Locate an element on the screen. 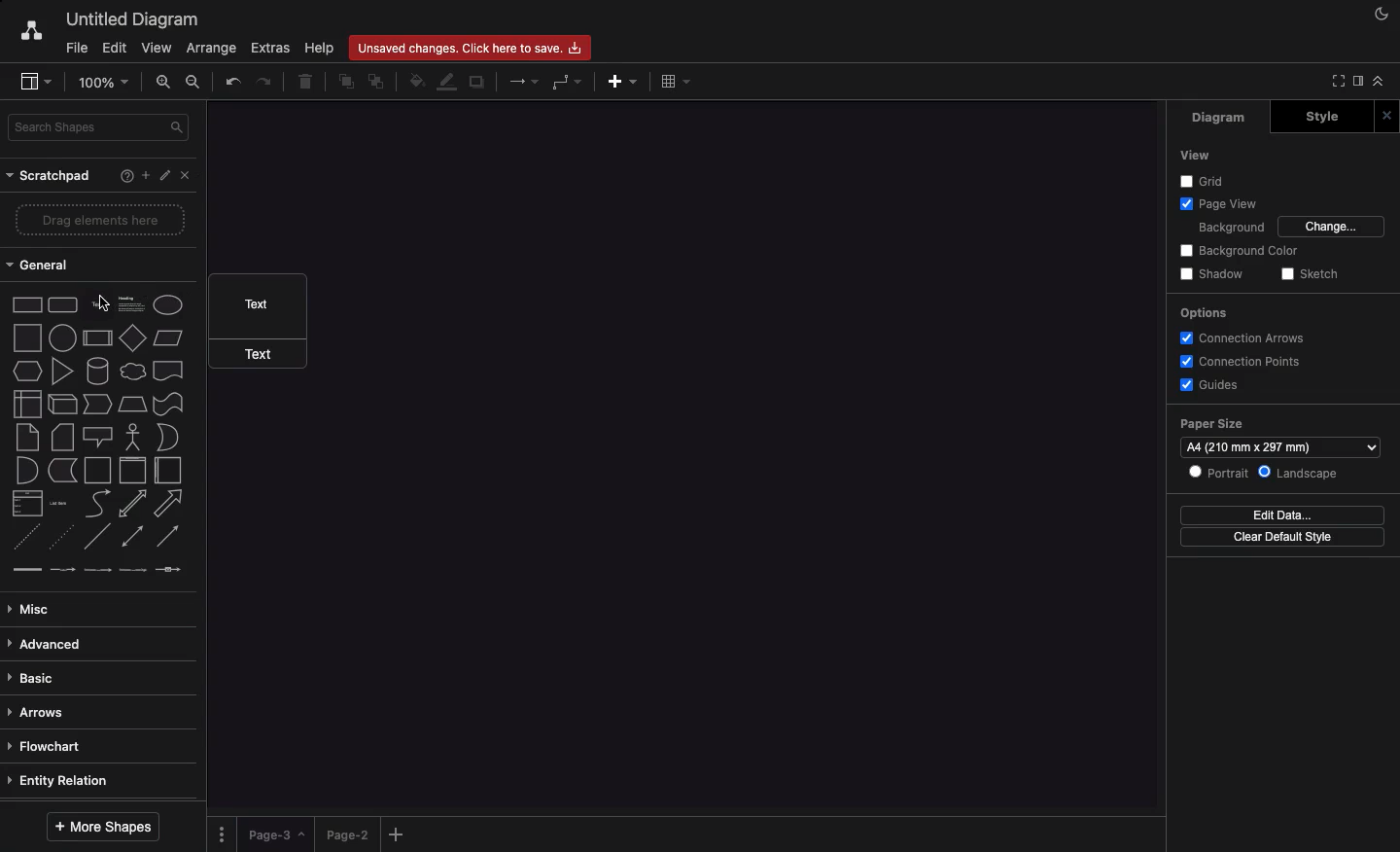 Image resolution: width=1400 pixels, height=852 pixels. View is located at coordinates (155, 45).